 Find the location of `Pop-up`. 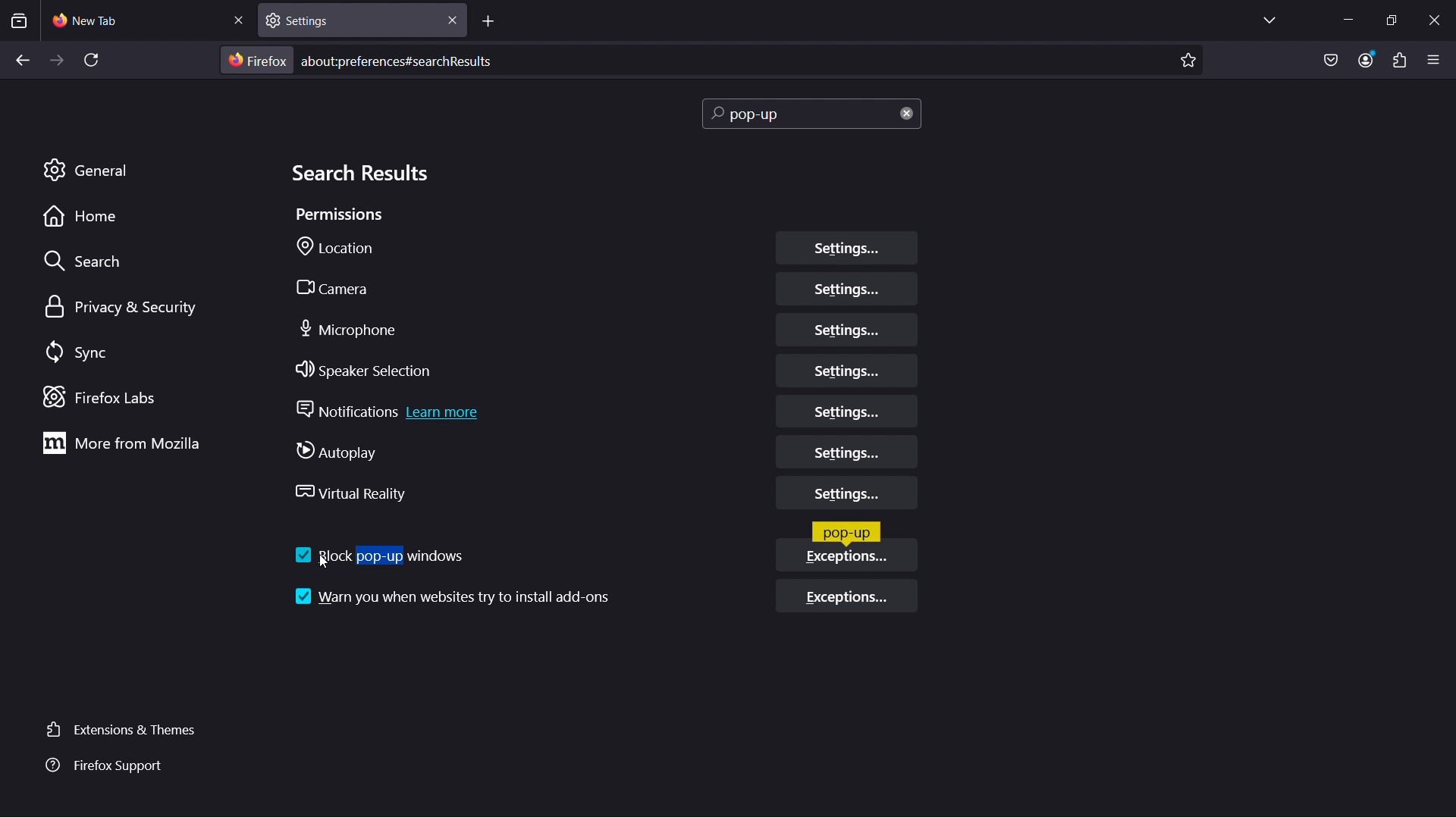

Pop-up is located at coordinates (847, 532).